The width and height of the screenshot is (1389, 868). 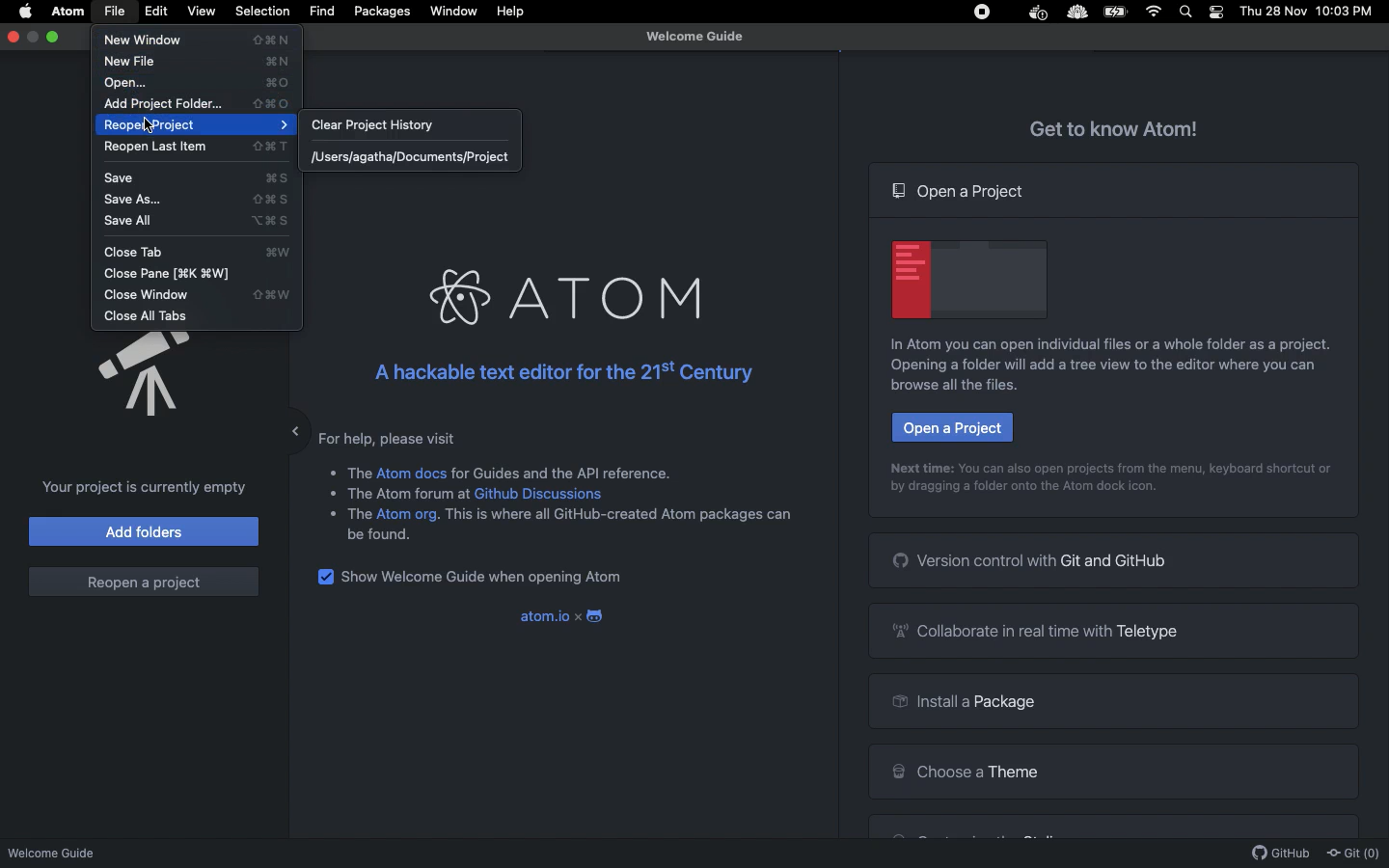 I want to click on Collaborate in real time with Teletype, so click(x=1042, y=630).